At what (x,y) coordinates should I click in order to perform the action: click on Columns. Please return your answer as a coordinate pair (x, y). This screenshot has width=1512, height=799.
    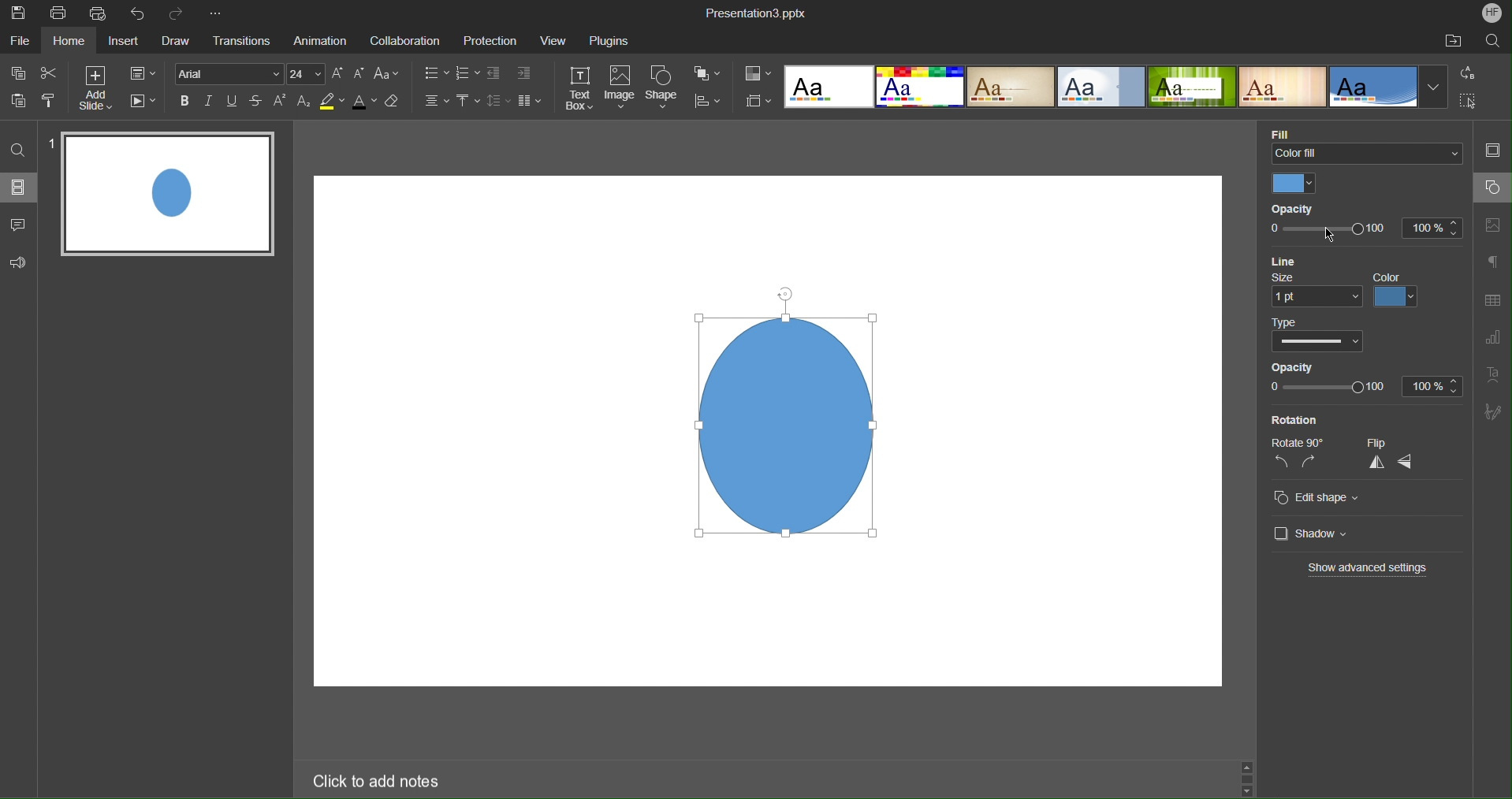
    Looking at the image, I should click on (531, 102).